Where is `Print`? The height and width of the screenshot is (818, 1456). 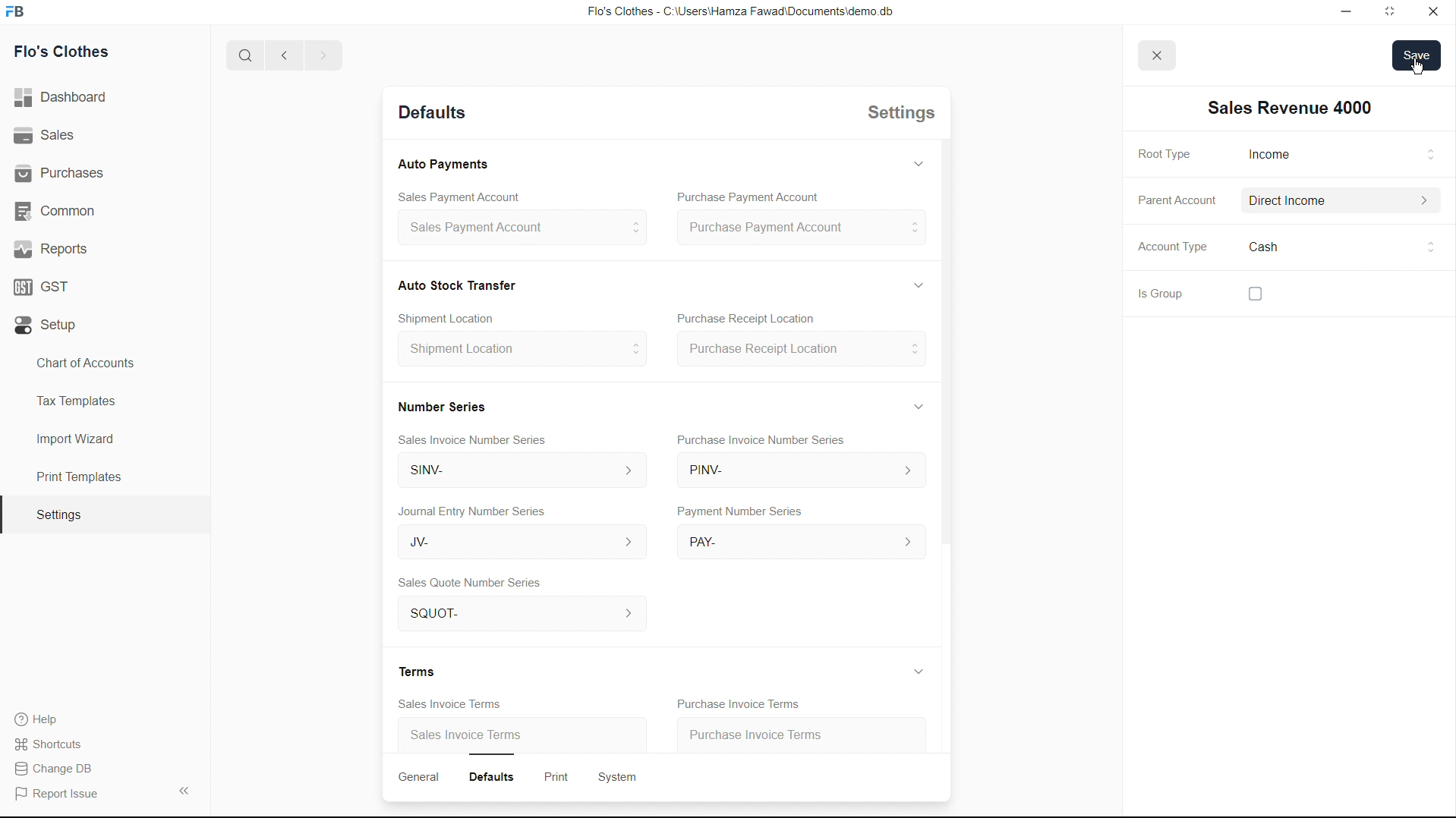
Print is located at coordinates (559, 775).